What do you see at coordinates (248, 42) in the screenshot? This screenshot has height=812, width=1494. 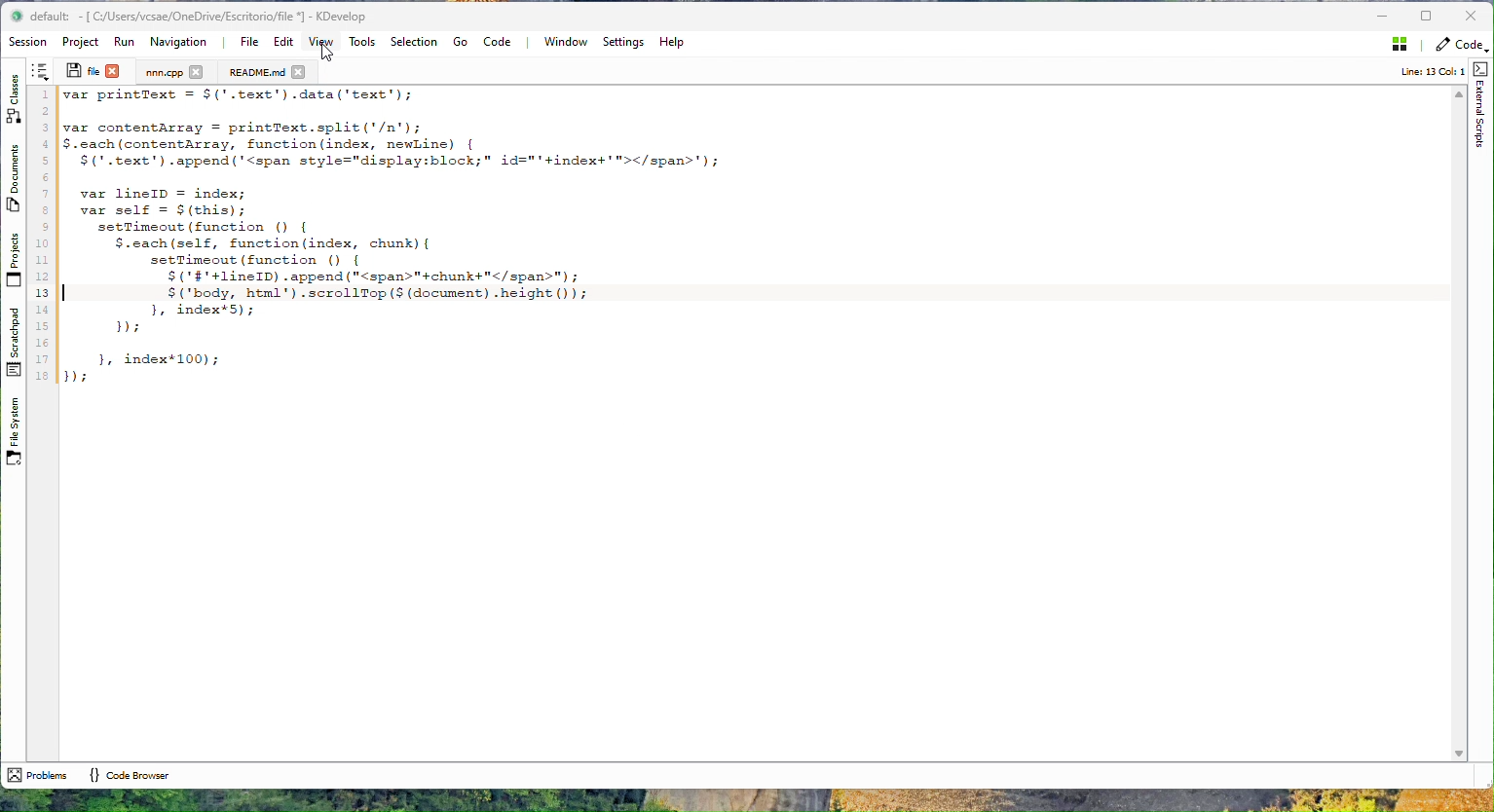 I see `File` at bounding box center [248, 42].